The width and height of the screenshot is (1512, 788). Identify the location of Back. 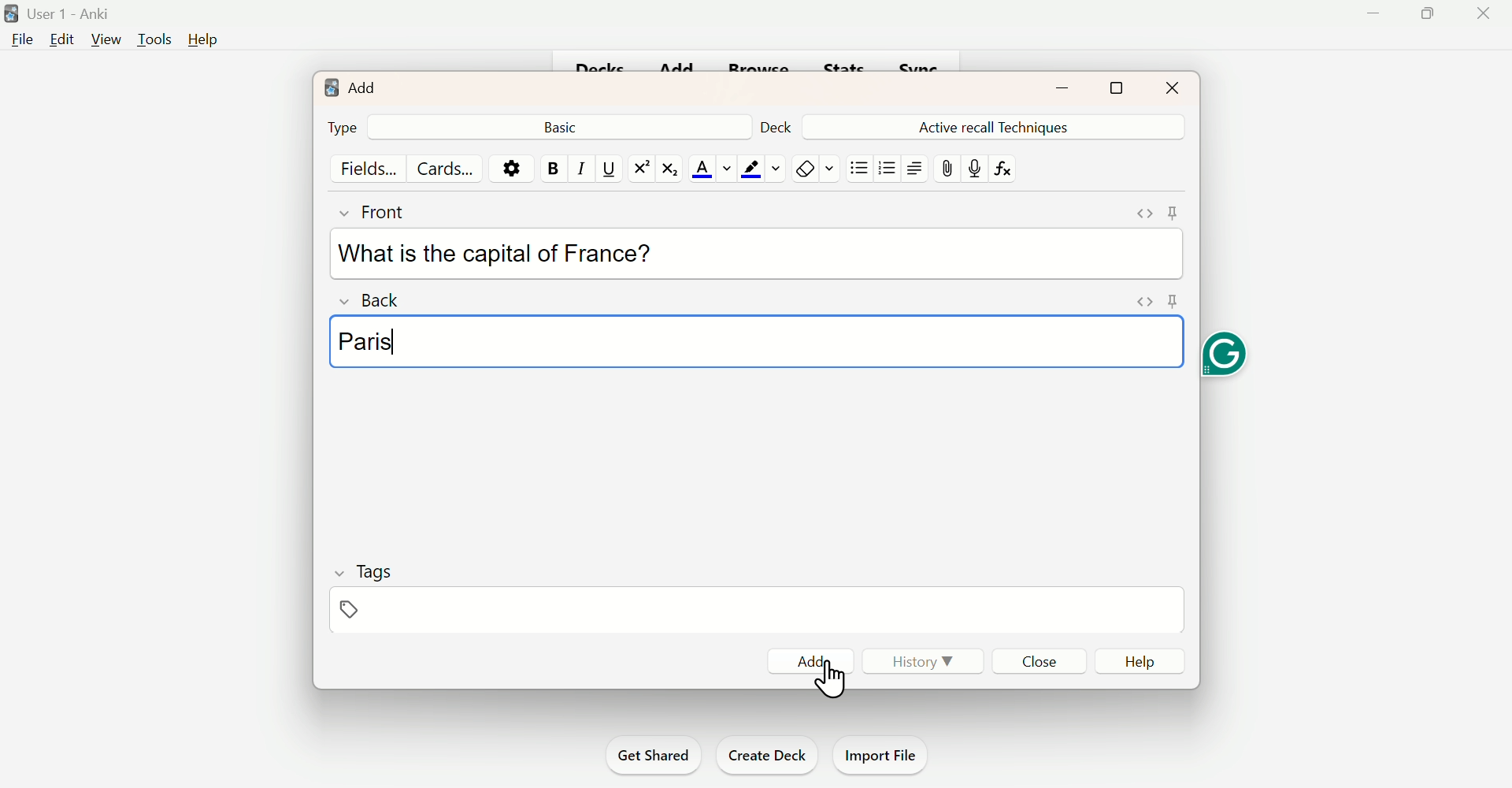
(562, 125).